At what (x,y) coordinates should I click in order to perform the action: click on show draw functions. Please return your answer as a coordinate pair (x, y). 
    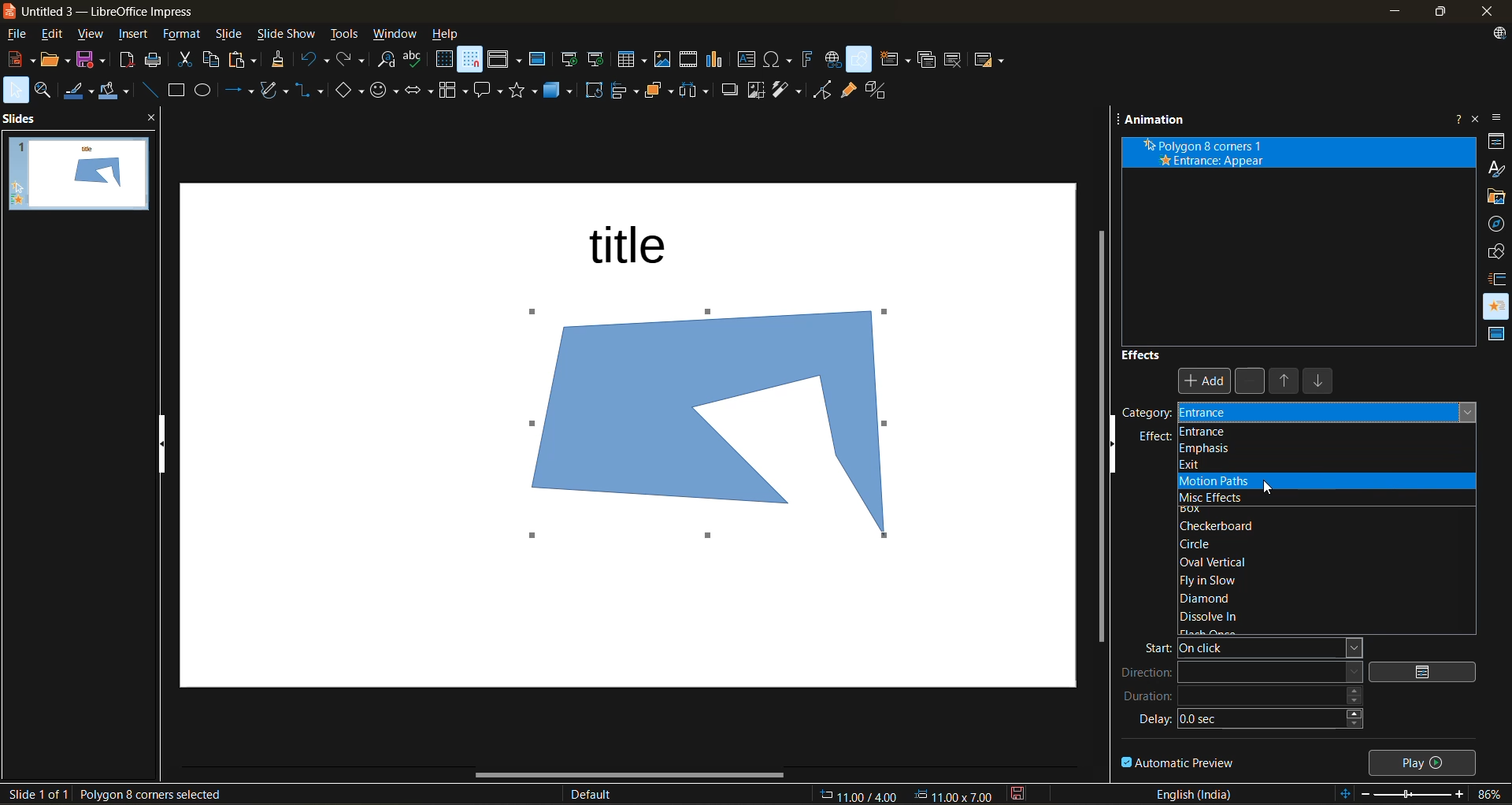
    Looking at the image, I should click on (860, 60).